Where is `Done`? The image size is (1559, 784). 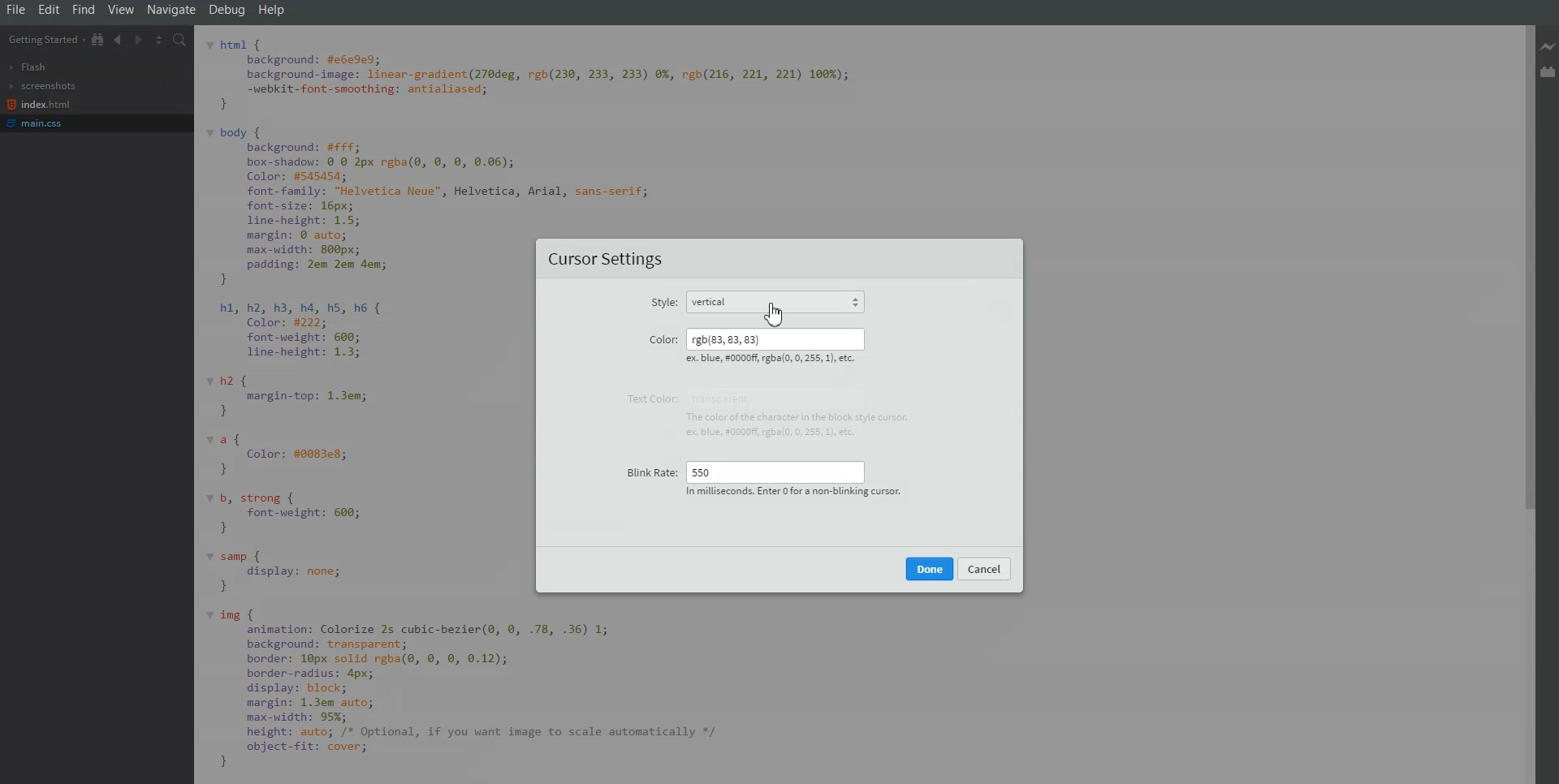
Done is located at coordinates (930, 568).